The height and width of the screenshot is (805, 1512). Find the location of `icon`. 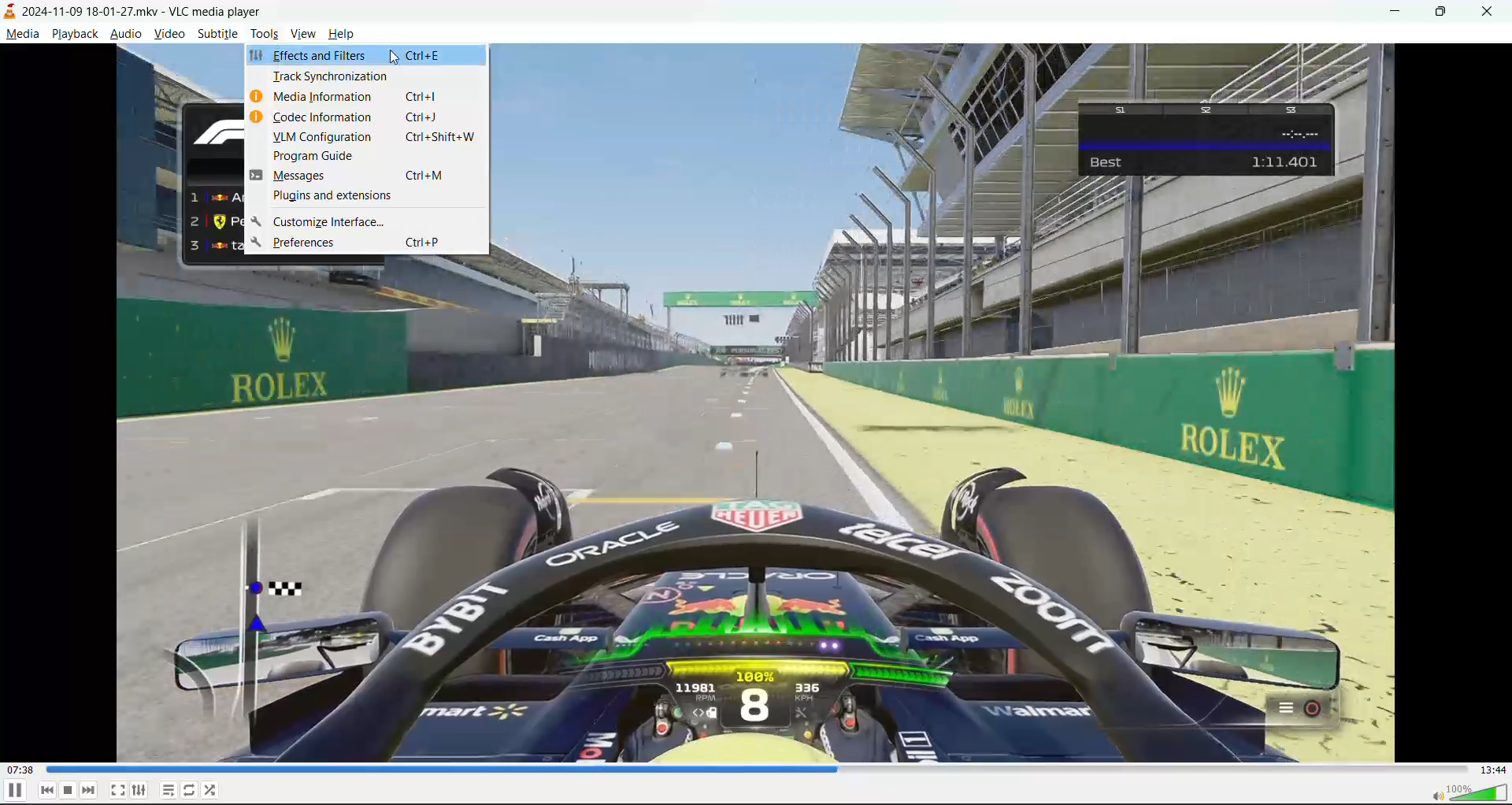

icon is located at coordinates (258, 243).